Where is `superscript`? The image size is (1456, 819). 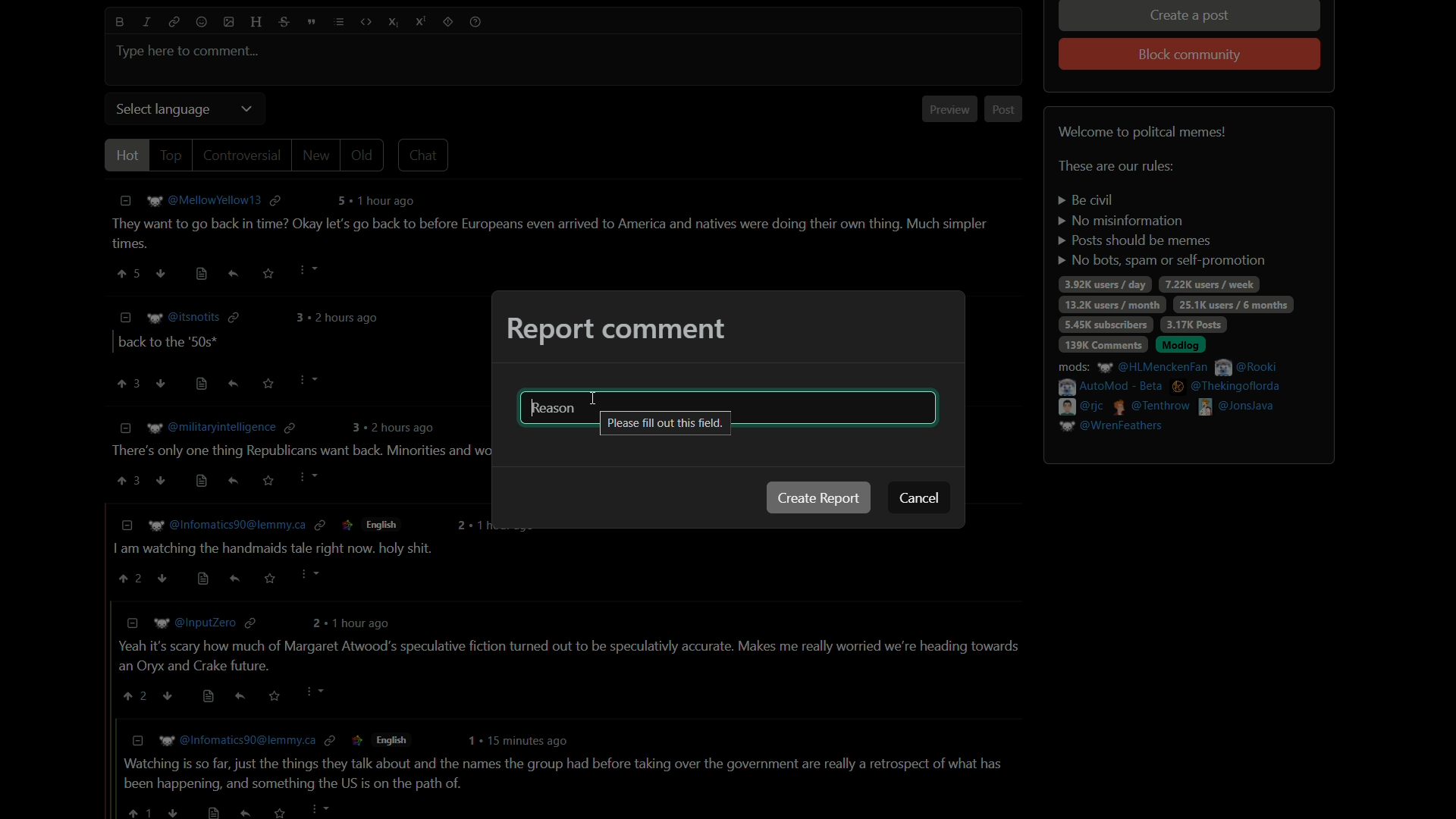
superscript is located at coordinates (420, 22).